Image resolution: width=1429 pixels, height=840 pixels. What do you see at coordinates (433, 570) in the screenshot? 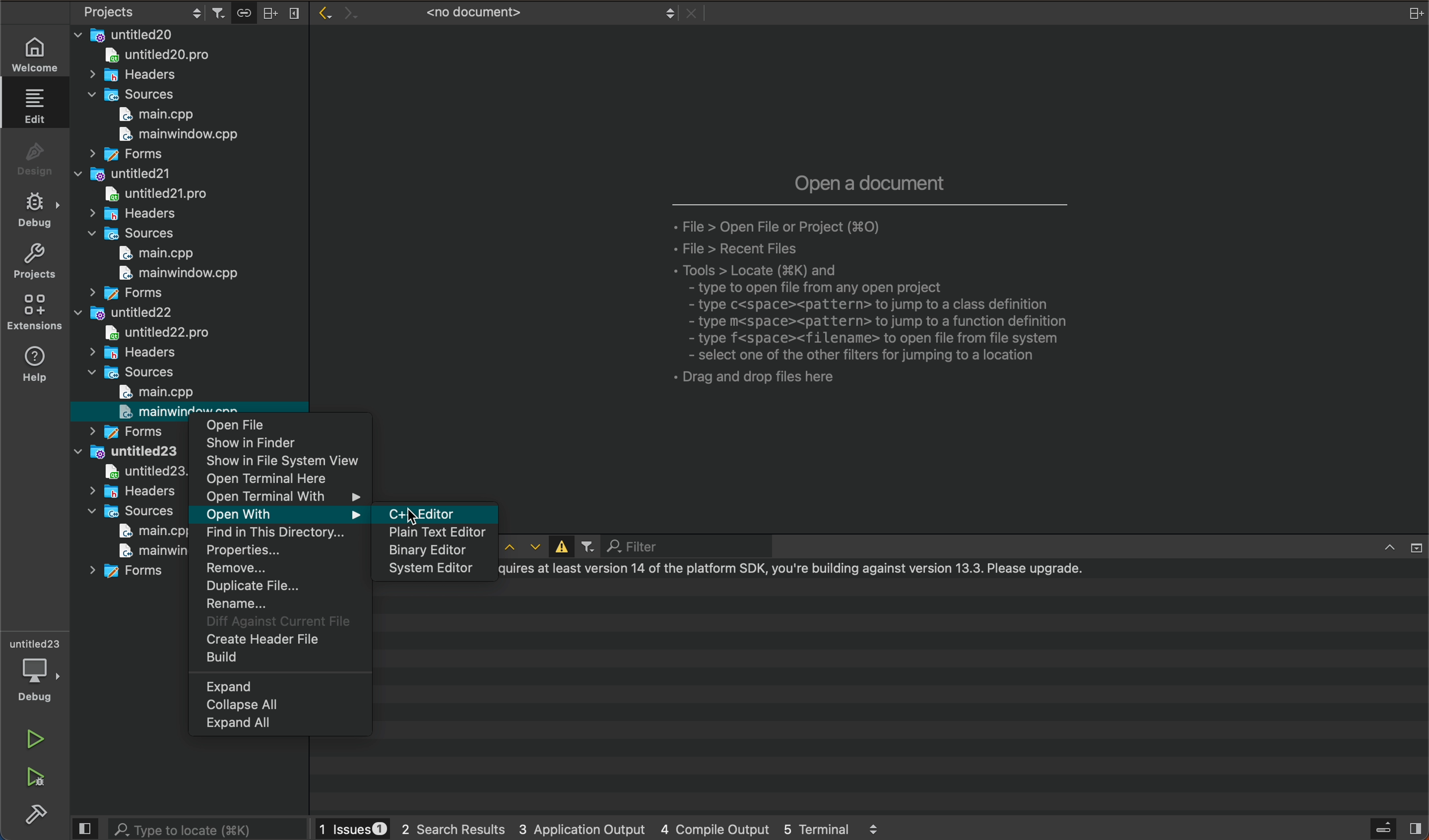
I see `system editor` at bounding box center [433, 570].